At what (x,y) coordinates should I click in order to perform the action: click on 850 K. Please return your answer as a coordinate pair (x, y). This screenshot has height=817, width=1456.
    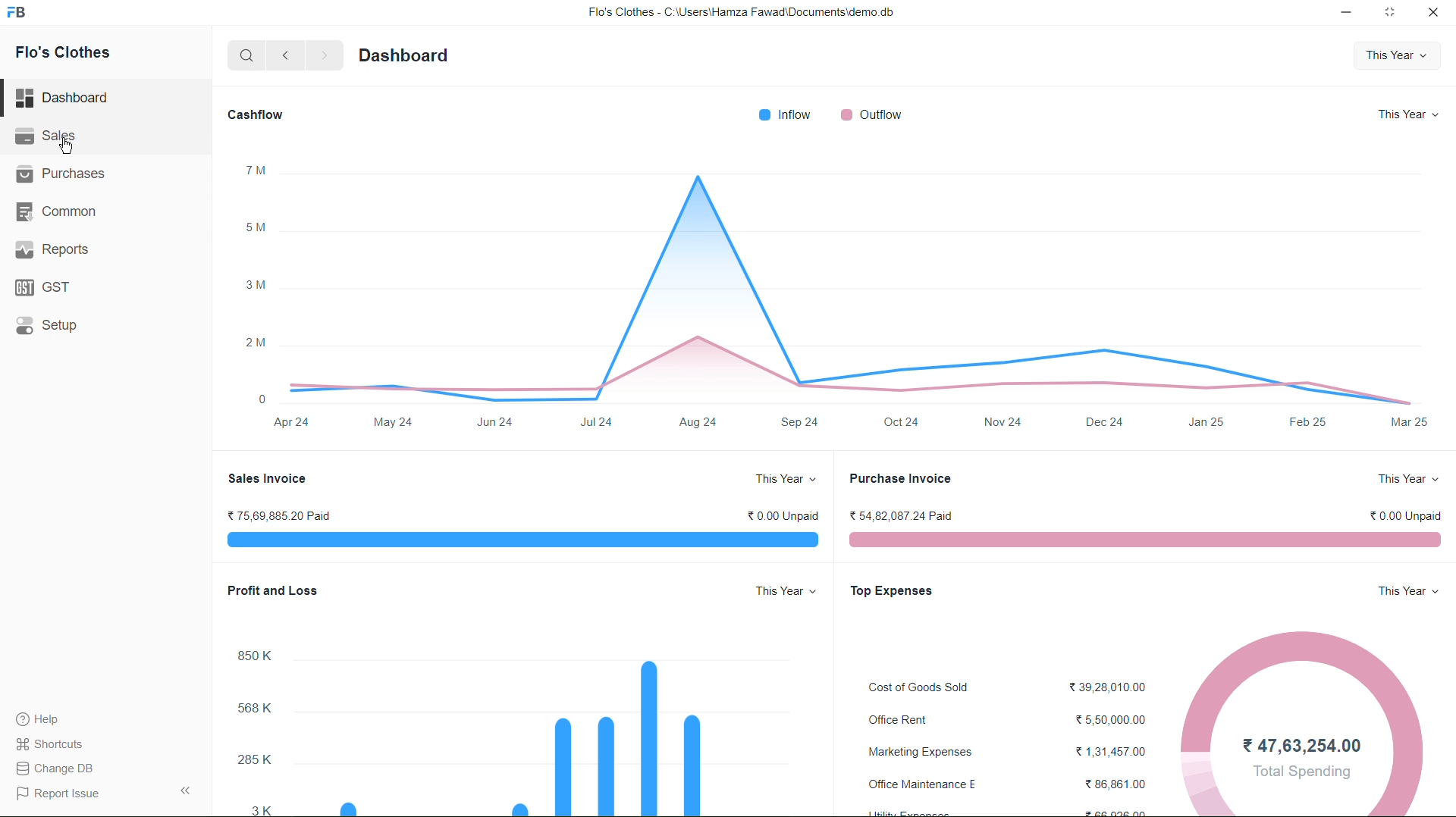
    Looking at the image, I should click on (246, 655).